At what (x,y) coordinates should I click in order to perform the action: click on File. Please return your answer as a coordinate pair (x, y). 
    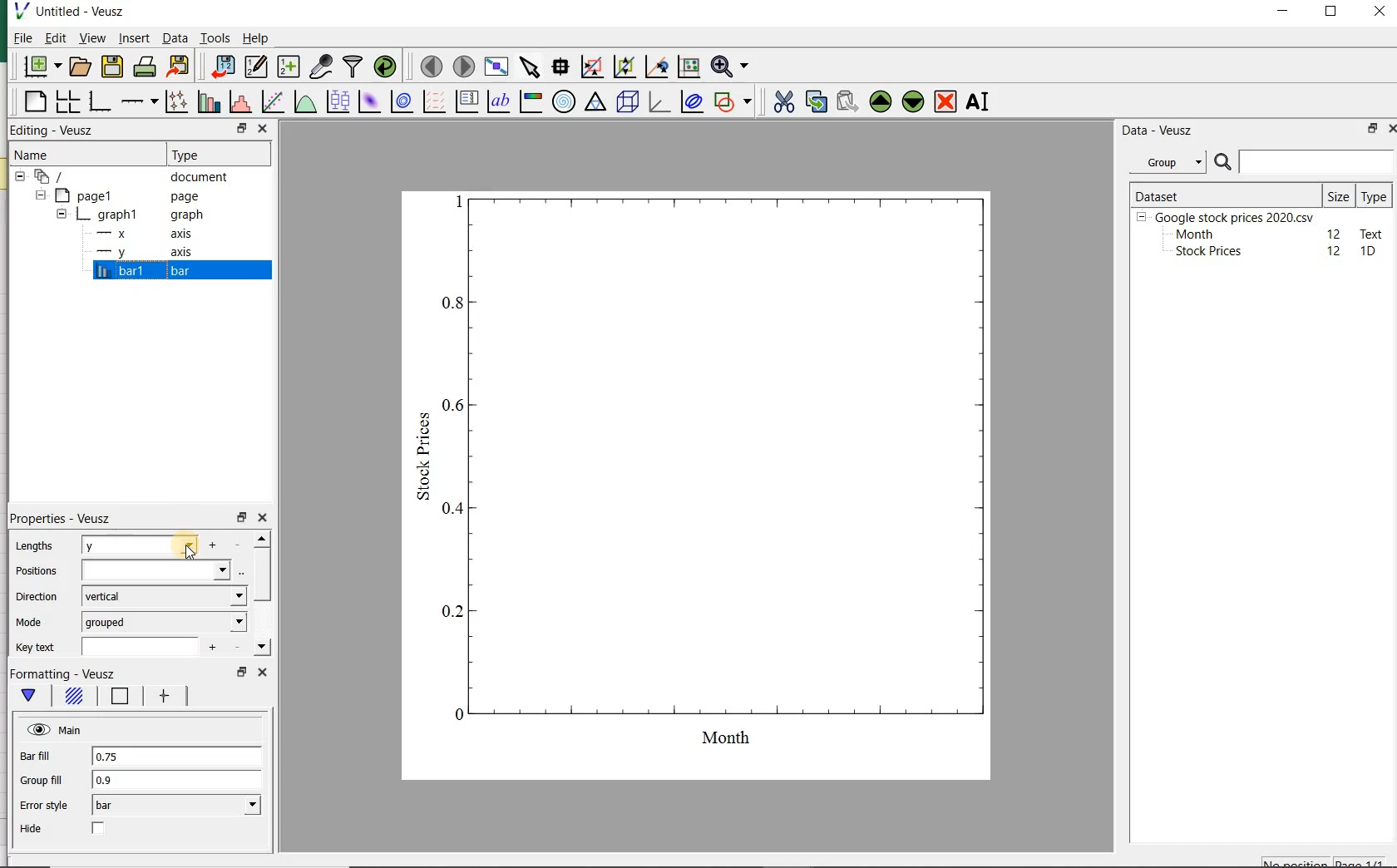
    Looking at the image, I should click on (18, 40).